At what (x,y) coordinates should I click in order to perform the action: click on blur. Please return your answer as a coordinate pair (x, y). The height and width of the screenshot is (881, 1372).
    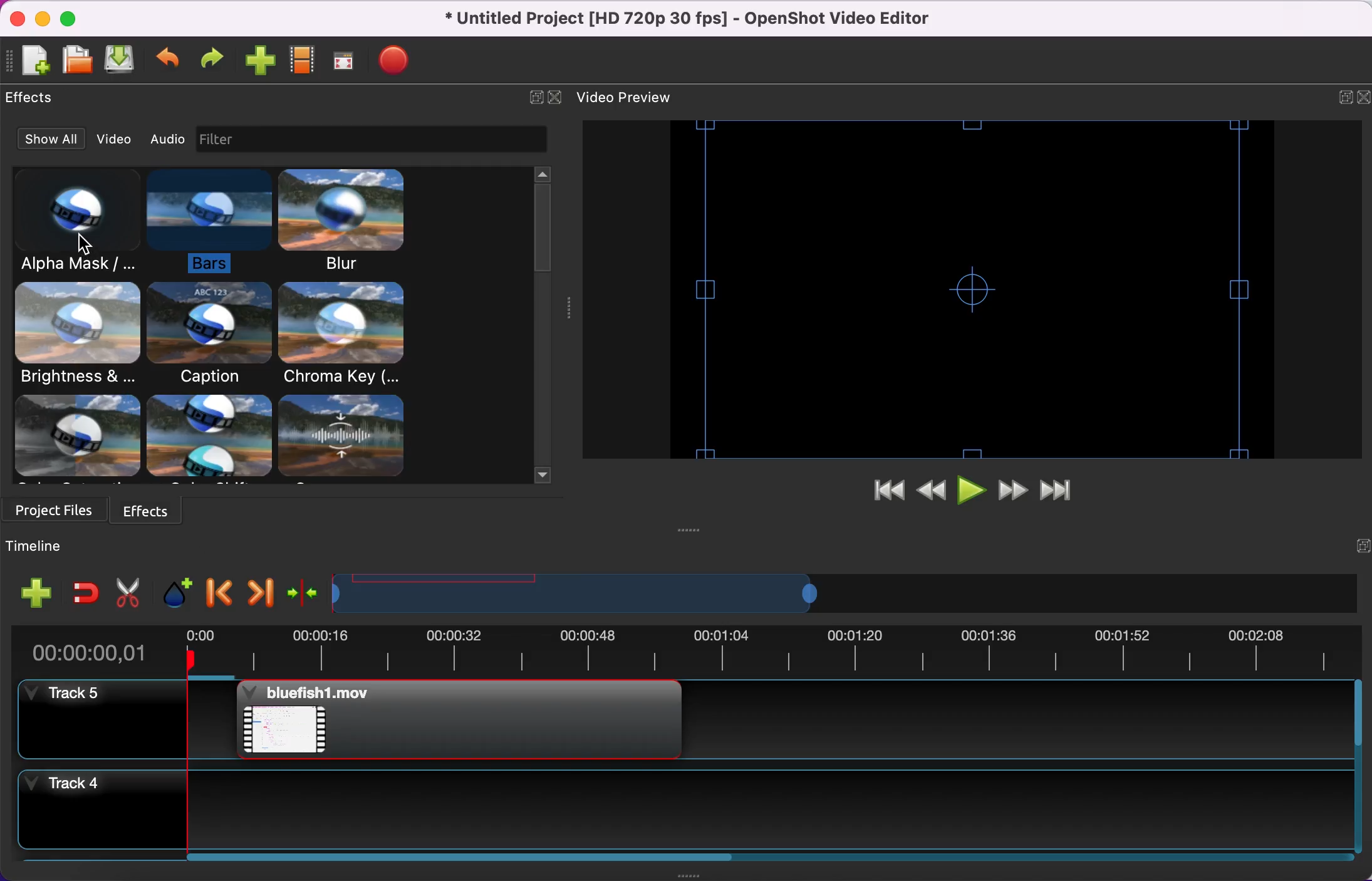
    Looking at the image, I should click on (347, 221).